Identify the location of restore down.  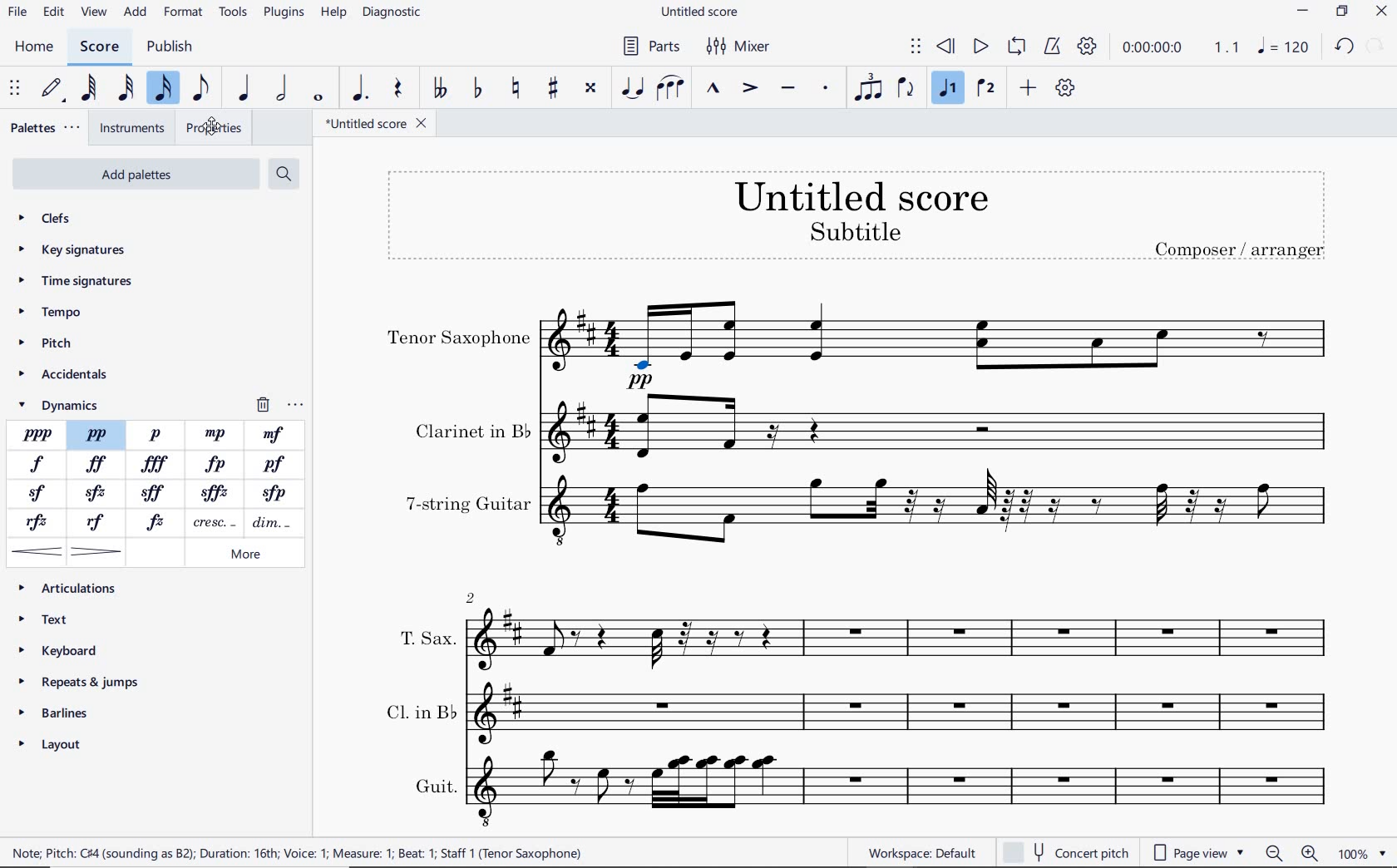
(1342, 12).